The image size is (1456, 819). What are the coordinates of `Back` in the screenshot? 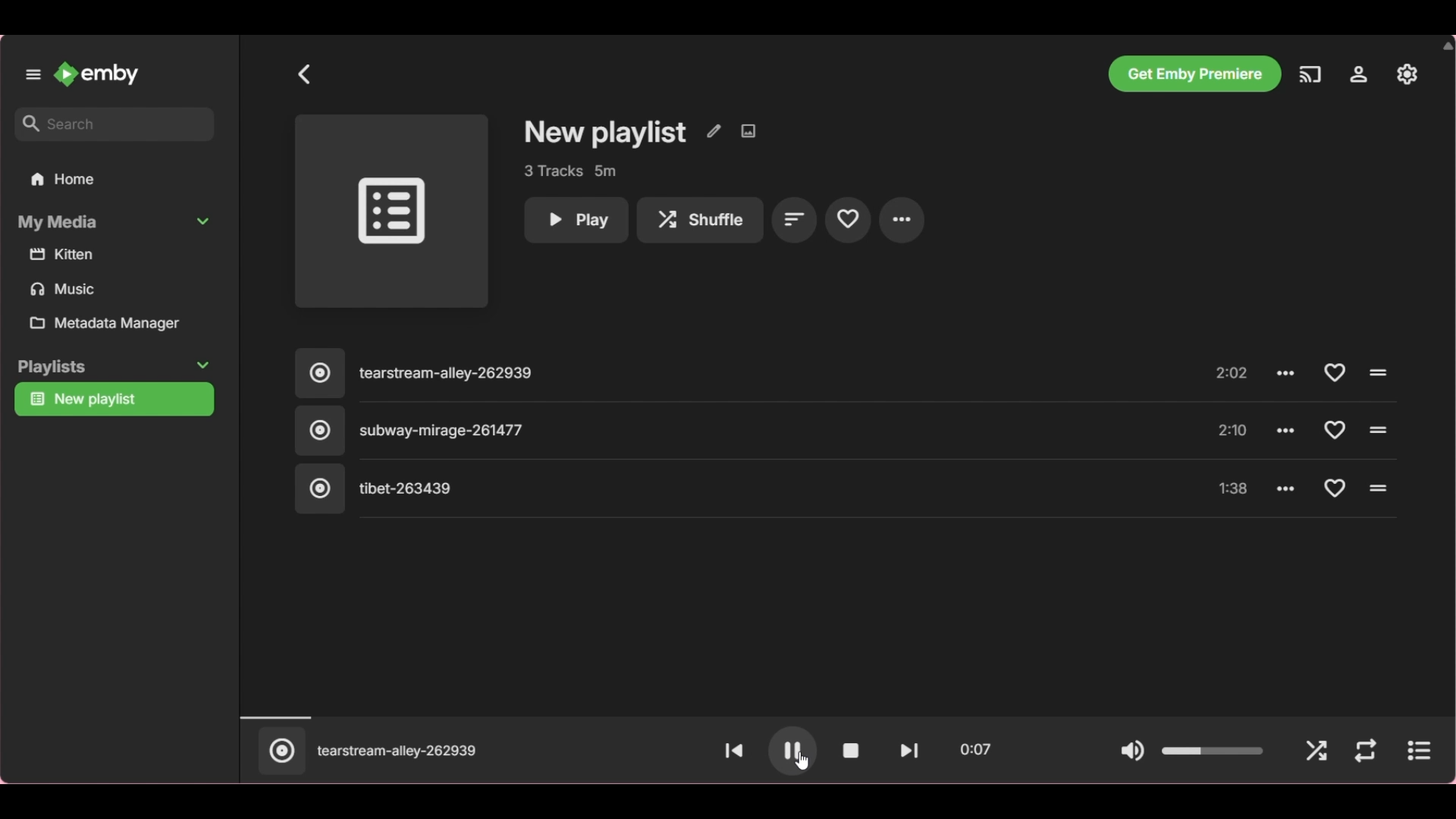 It's located at (305, 74).